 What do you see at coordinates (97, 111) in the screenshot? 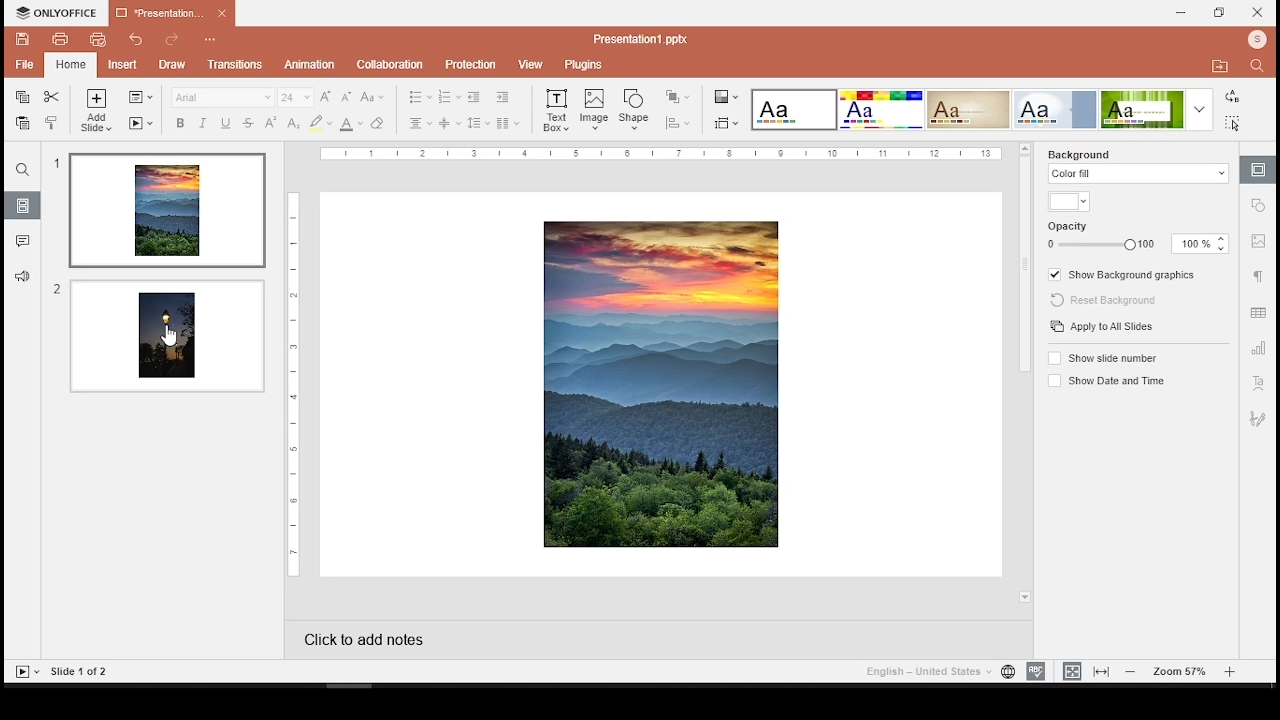
I see `add slide` at bounding box center [97, 111].